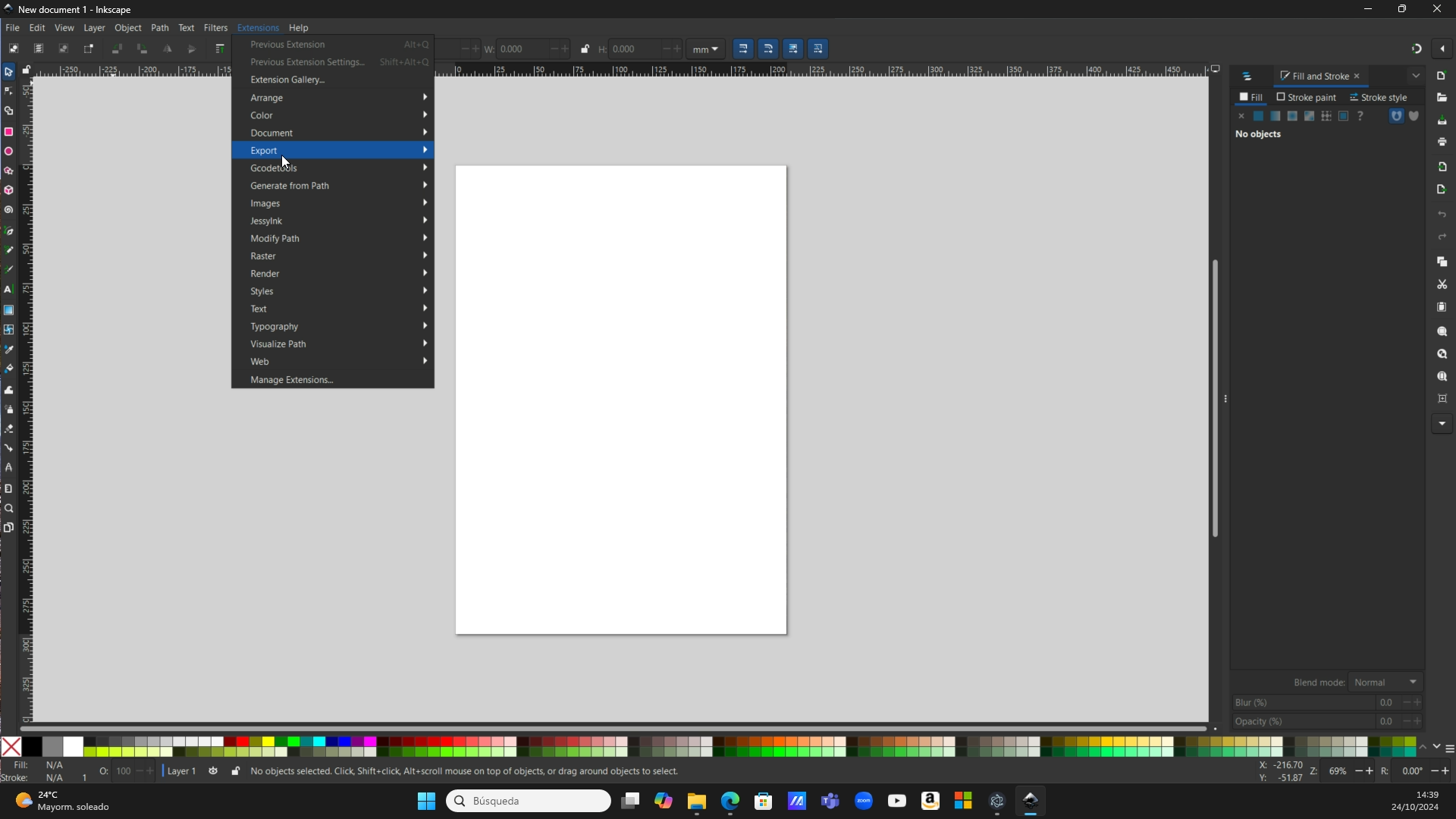 The width and height of the screenshot is (1456, 819). I want to click on Extension Gallery, so click(304, 81).